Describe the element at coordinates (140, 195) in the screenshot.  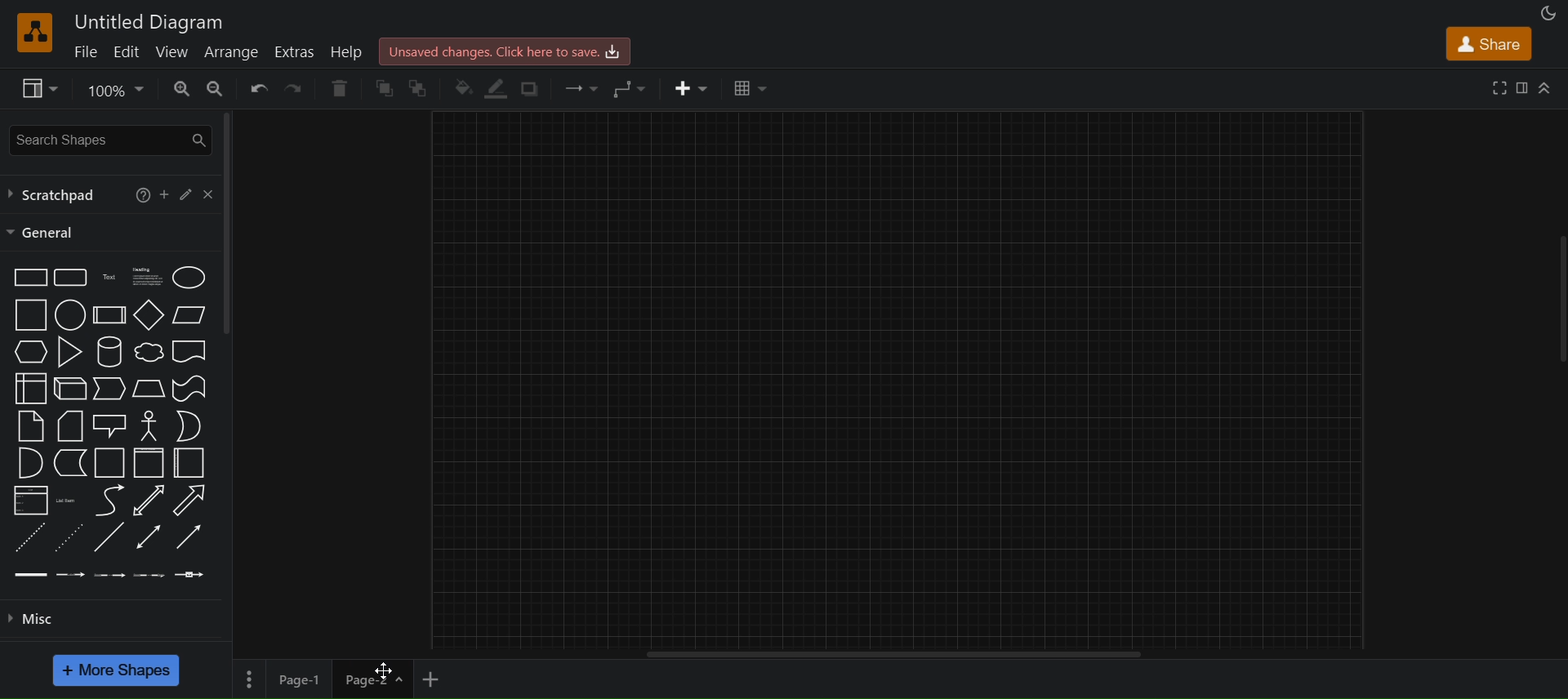
I see `help` at that location.